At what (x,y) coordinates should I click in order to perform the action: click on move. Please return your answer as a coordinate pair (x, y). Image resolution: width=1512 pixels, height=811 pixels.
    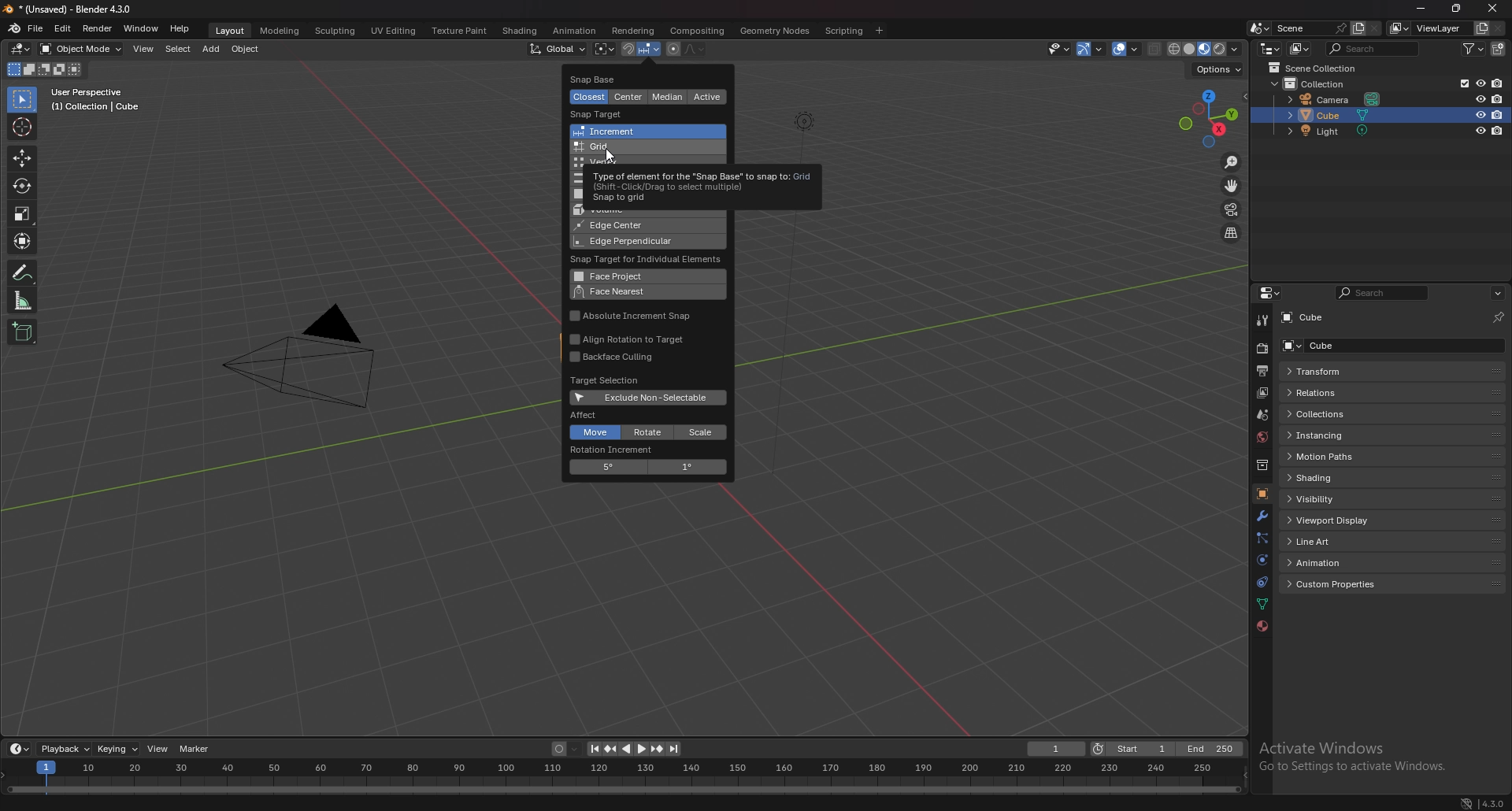
    Looking at the image, I should click on (1231, 186).